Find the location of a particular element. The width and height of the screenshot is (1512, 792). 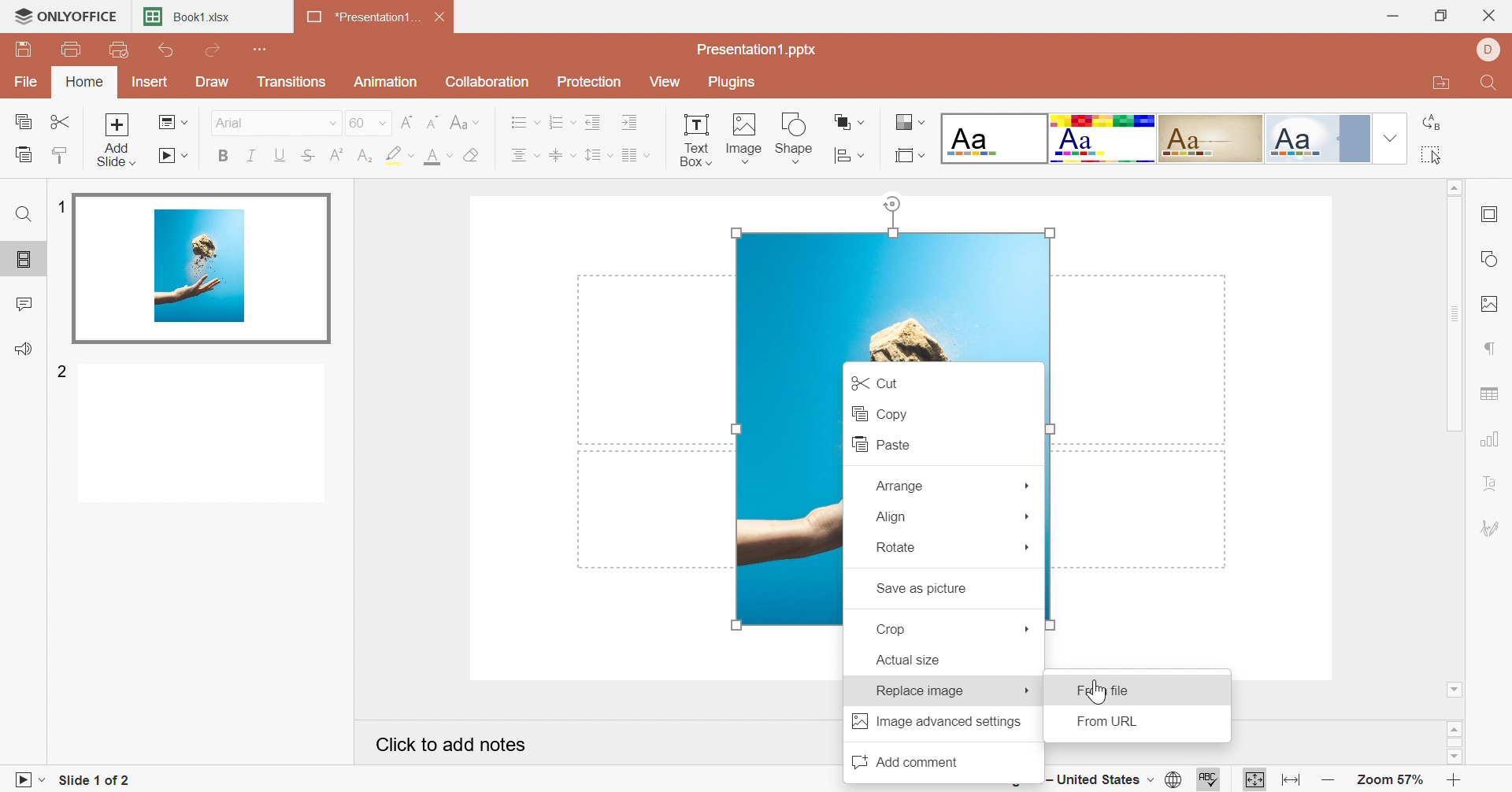

Image is located at coordinates (745, 135).